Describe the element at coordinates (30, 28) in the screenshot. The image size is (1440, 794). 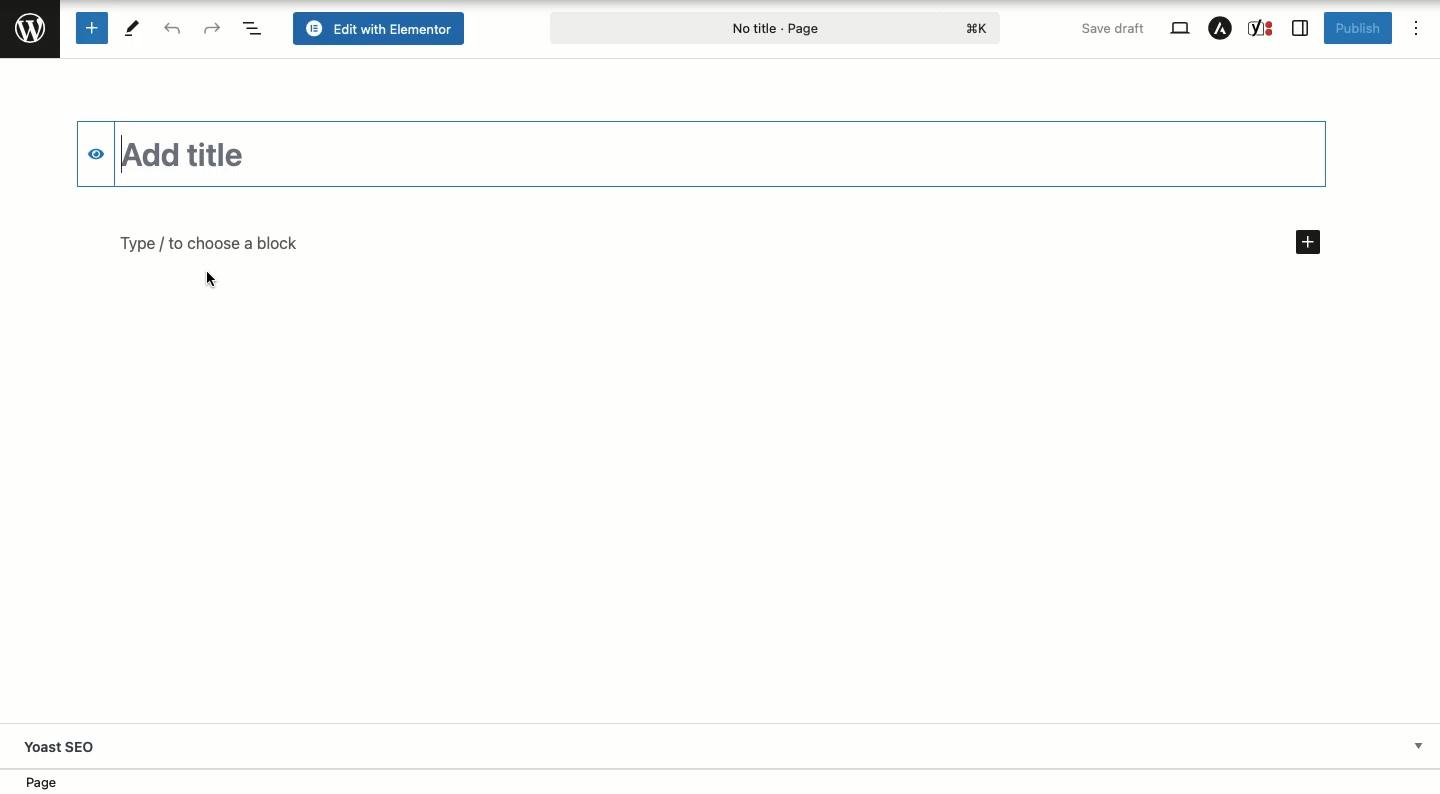
I see `Wordpress logo` at that location.